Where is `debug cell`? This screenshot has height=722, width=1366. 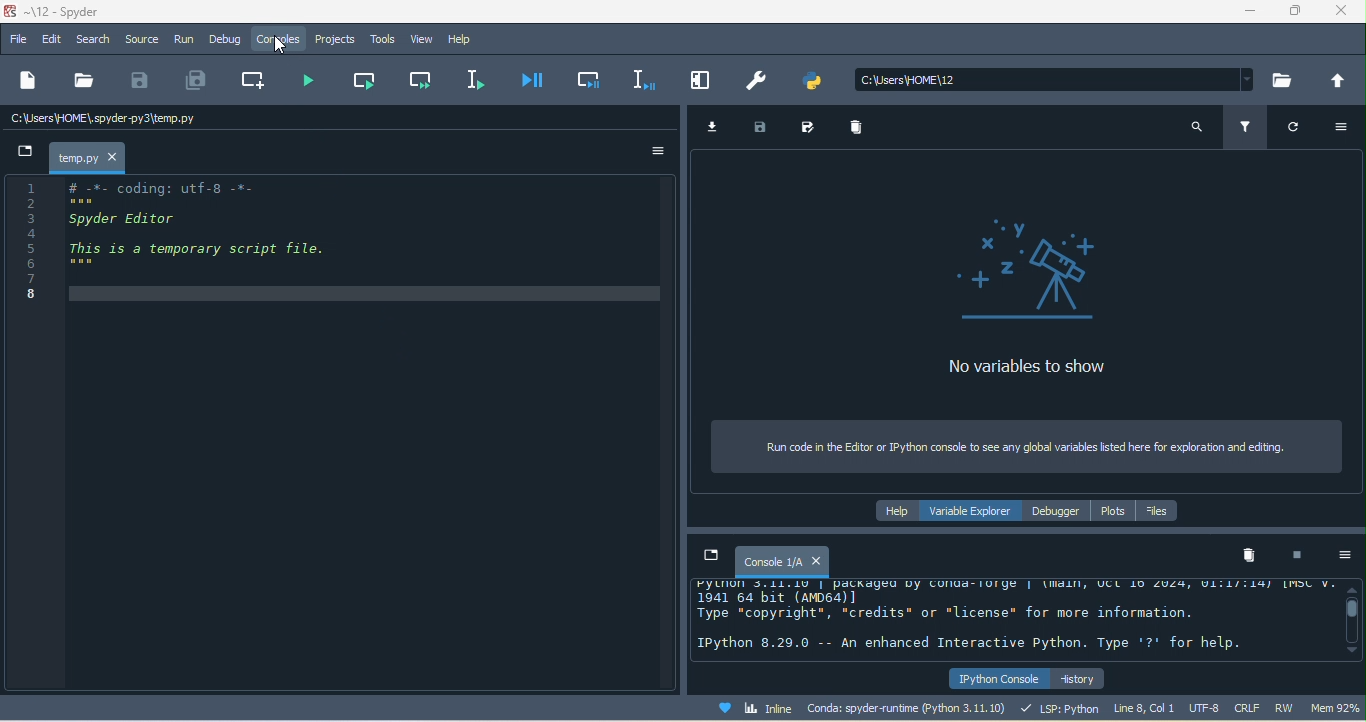 debug cell is located at coordinates (593, 83).